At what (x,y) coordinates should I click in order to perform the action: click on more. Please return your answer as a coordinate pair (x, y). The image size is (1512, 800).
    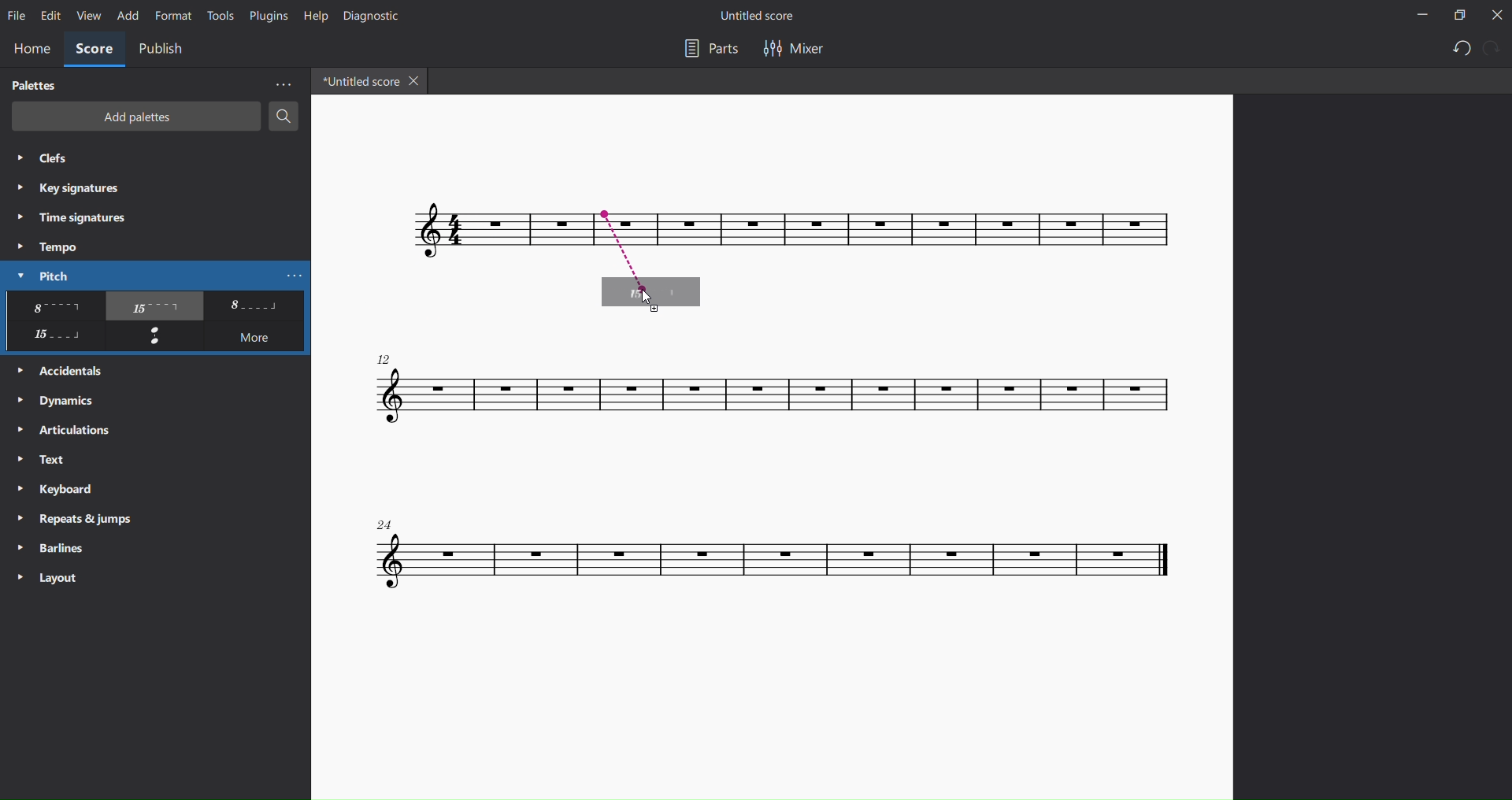
    Looking at the image, I should click on (278, 85).